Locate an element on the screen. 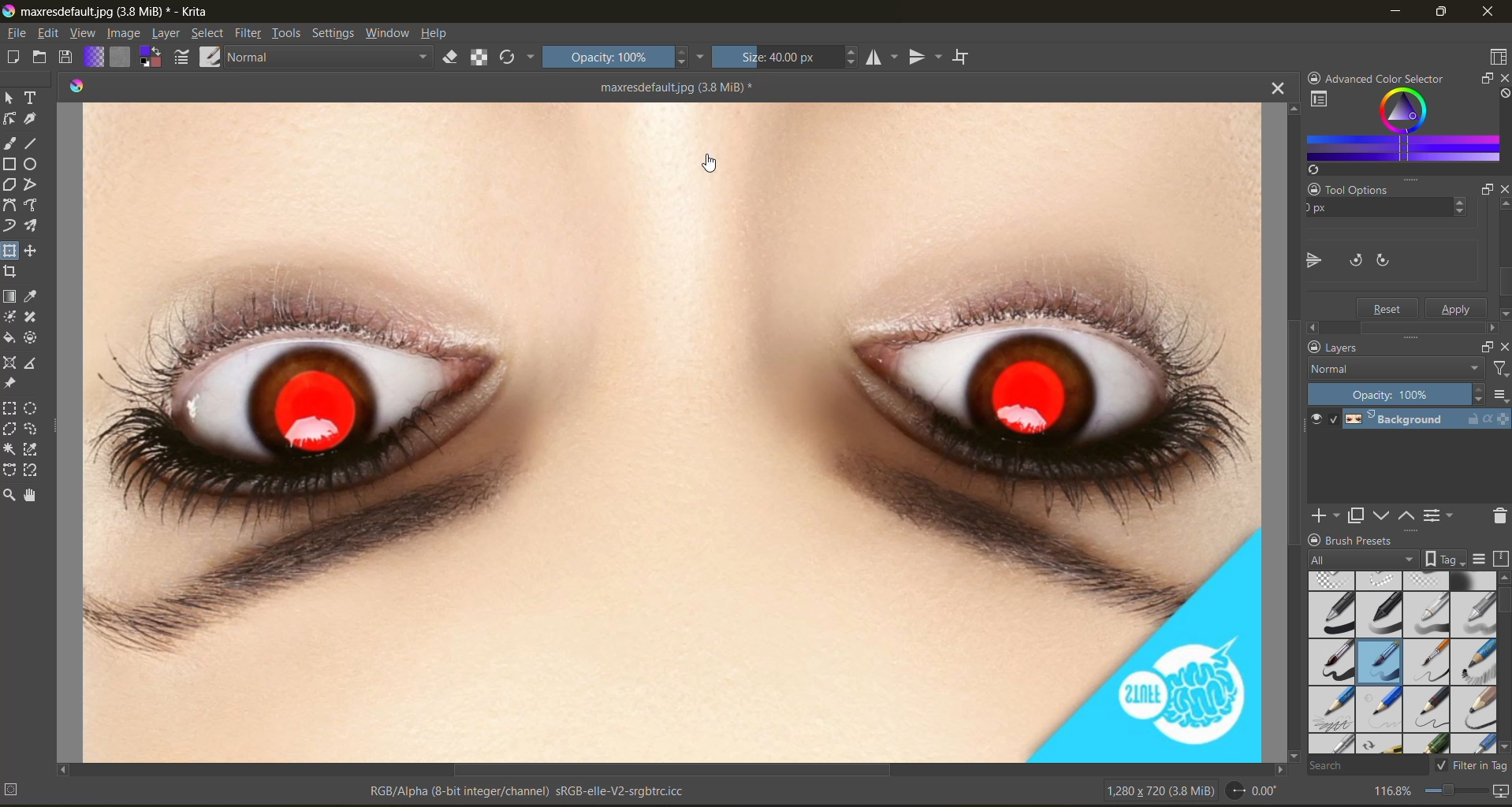 This screenshot has width=1512, height=807. view is located at coordinates (82, 33).